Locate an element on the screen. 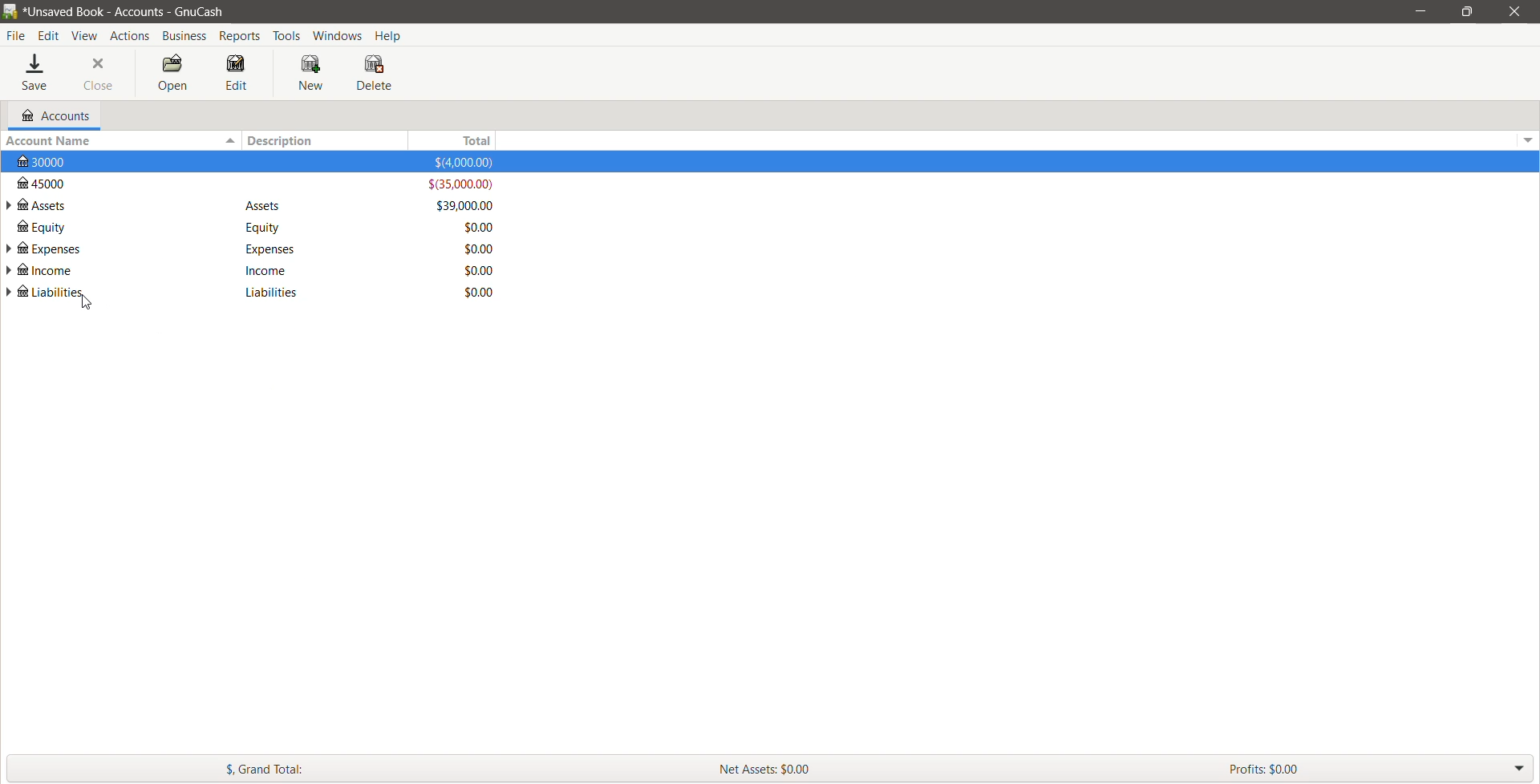 The image size is (1540, 784). details of the account "Equity" is located at coordinates (259, 228).